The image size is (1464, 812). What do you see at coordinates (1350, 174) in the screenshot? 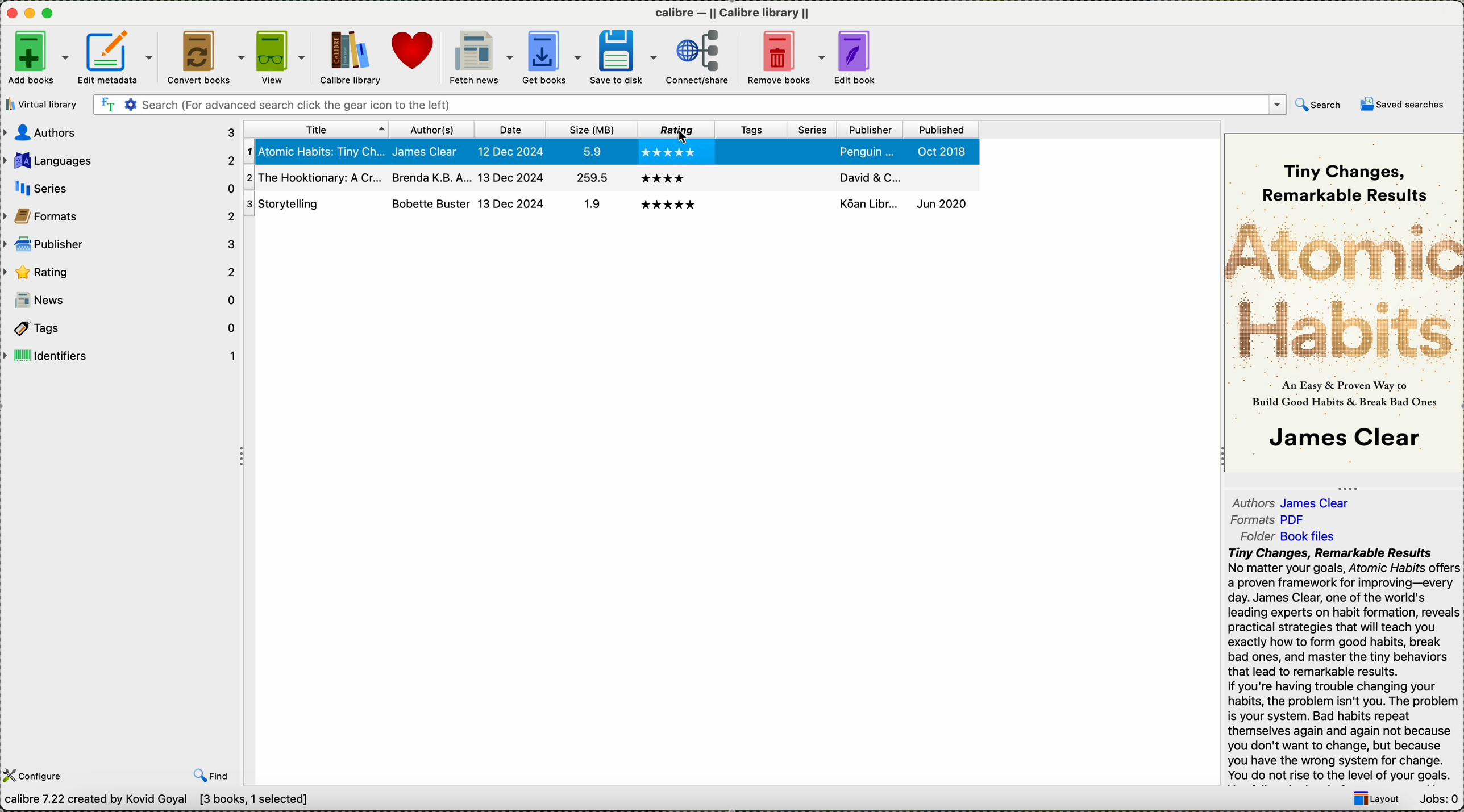
I see `Tiny Changes, Remarkable Results` at bounding box center [1350, 174].